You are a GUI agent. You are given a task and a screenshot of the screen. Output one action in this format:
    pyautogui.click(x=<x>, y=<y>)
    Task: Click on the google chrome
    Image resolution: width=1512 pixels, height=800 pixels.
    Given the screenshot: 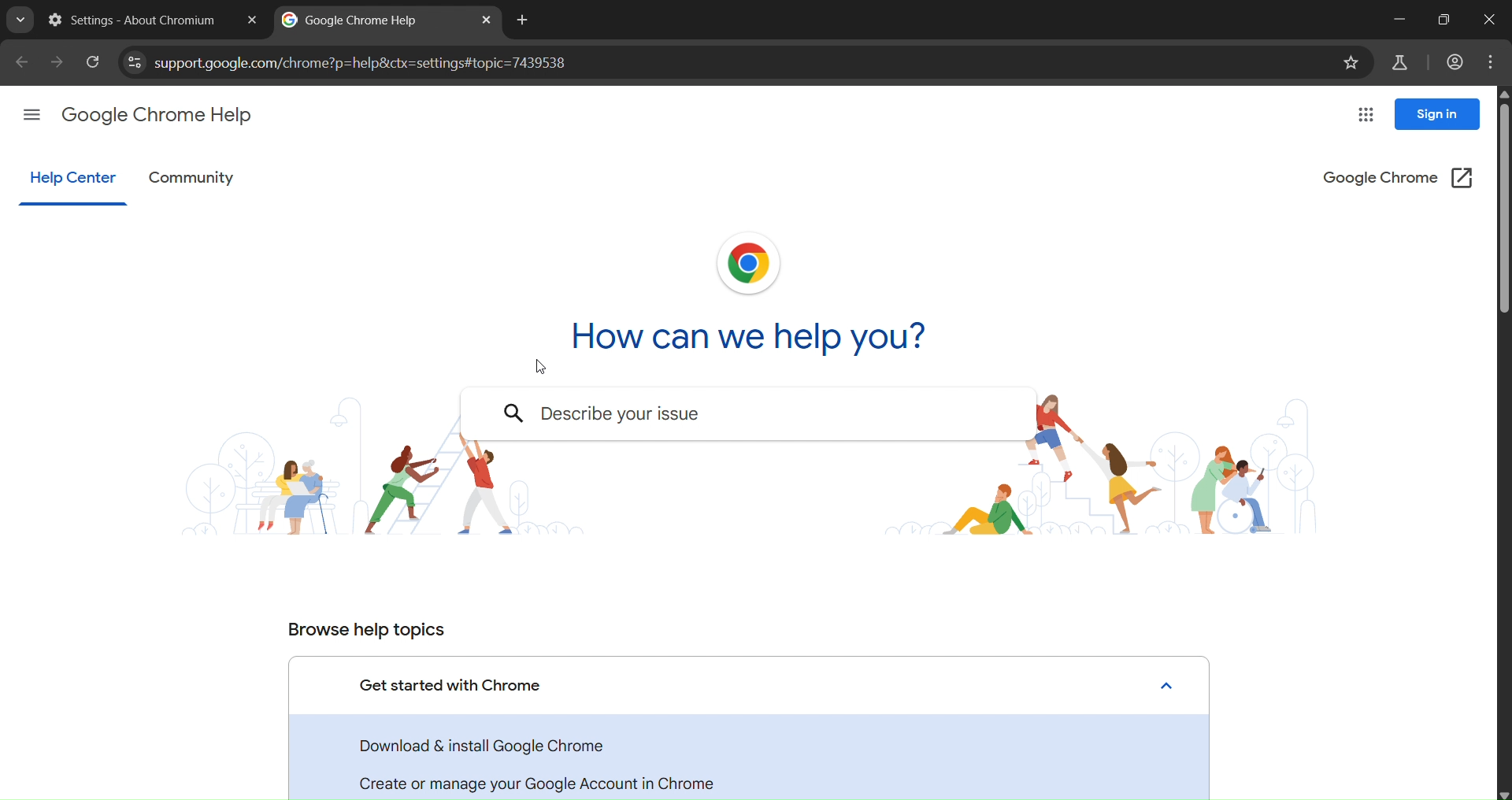 What is the action you would take?
    pyautogui.click(x=1399, y=176)
    